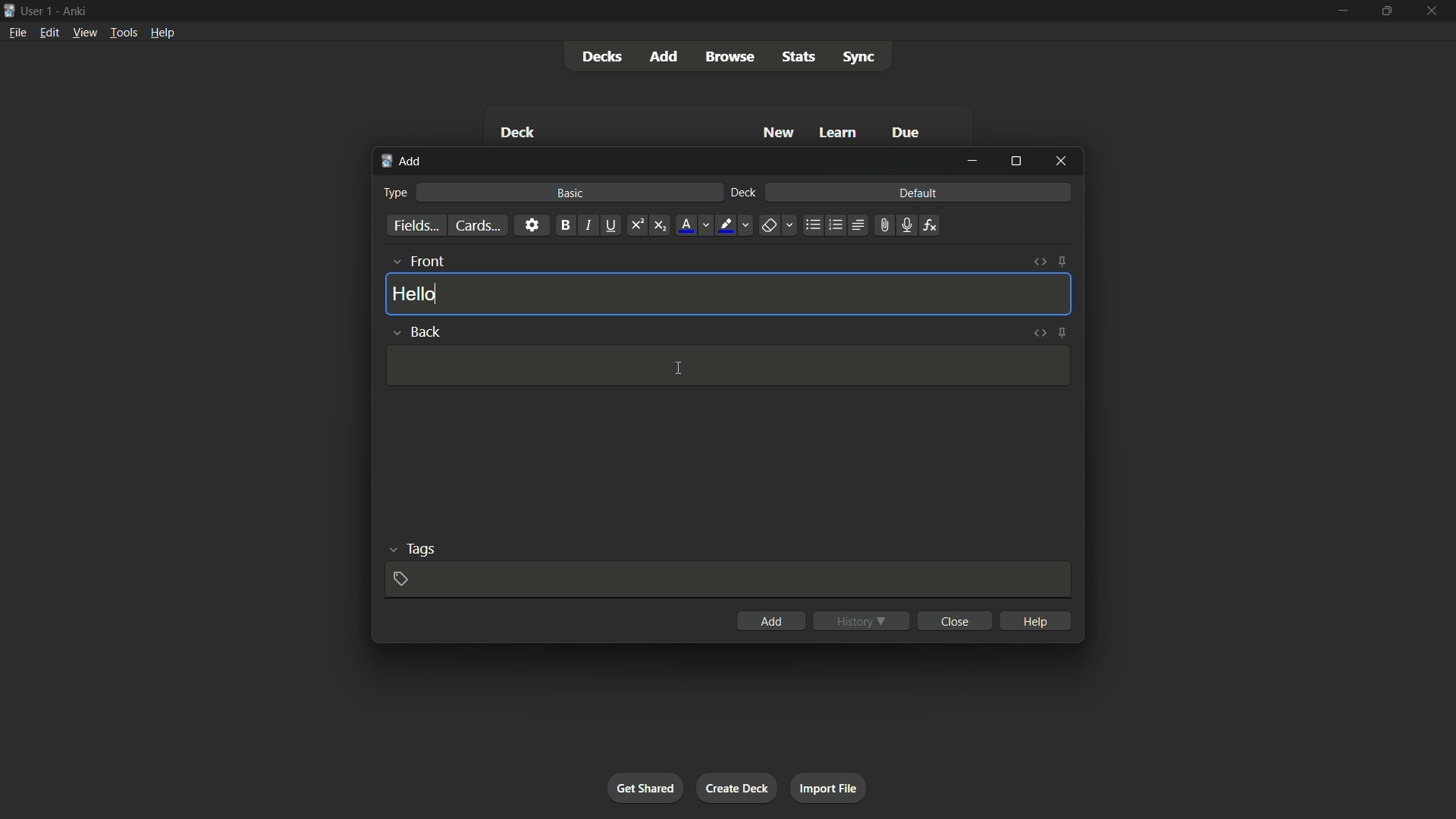 This screenshot has height=819, width=1456. What do you see at coordinates (1061, 334) in the screenshot?
I see `toggle sticky` at bounding box center [1061, 334].